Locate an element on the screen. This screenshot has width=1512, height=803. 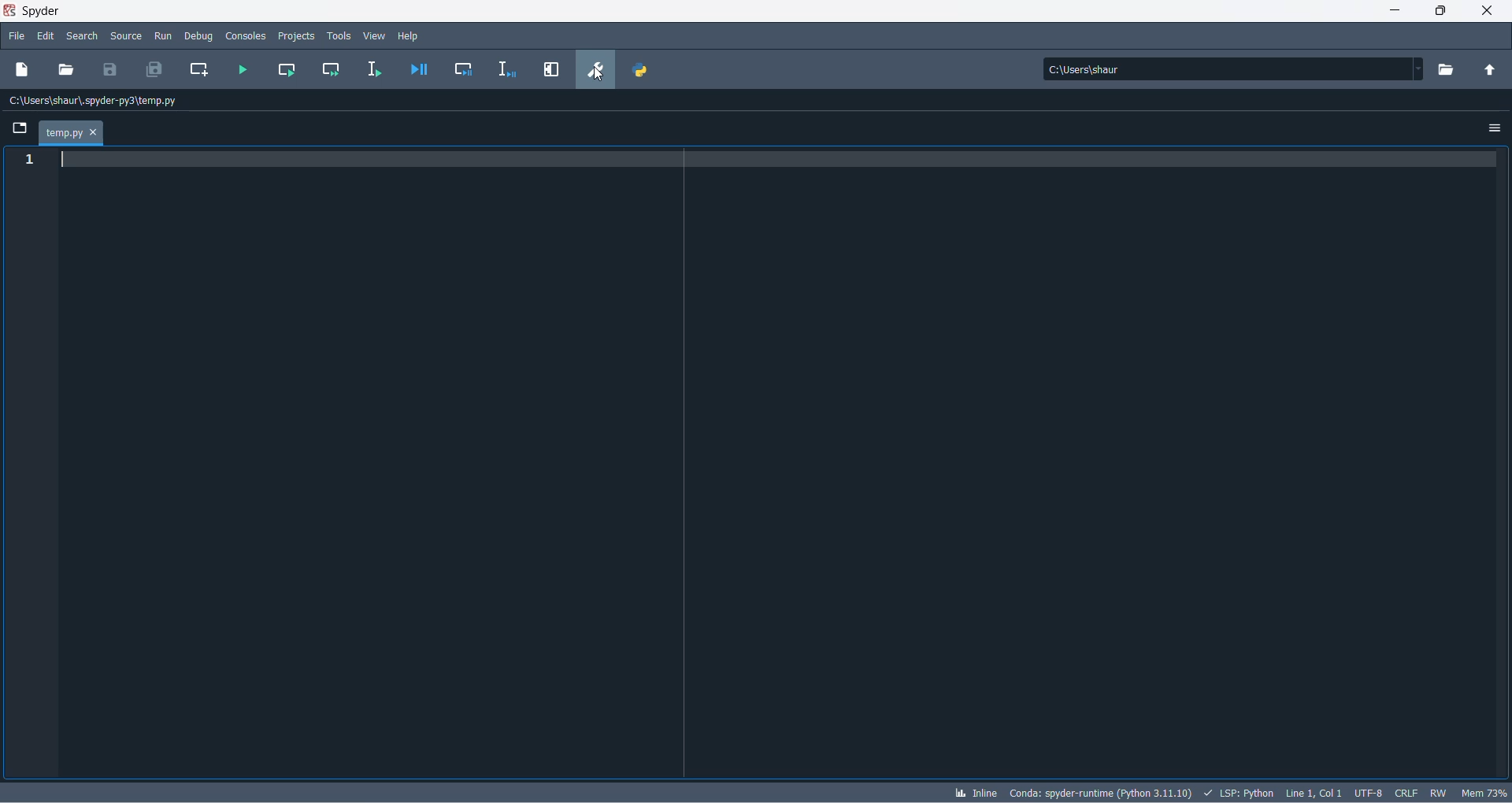
spyder version is located at coordinates (1099, 792).